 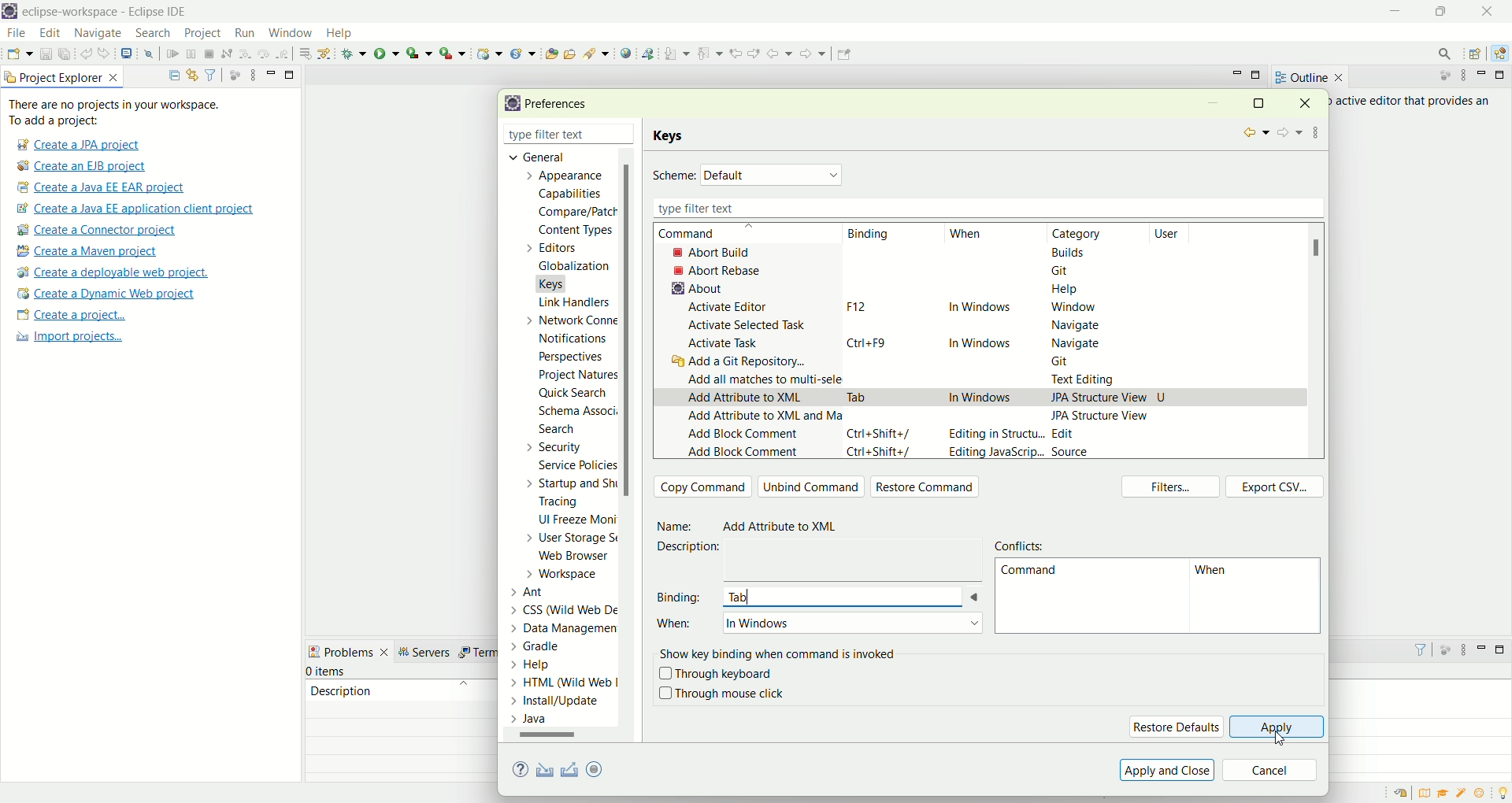 I want to click on maximize, so click(x=1503, y=75).